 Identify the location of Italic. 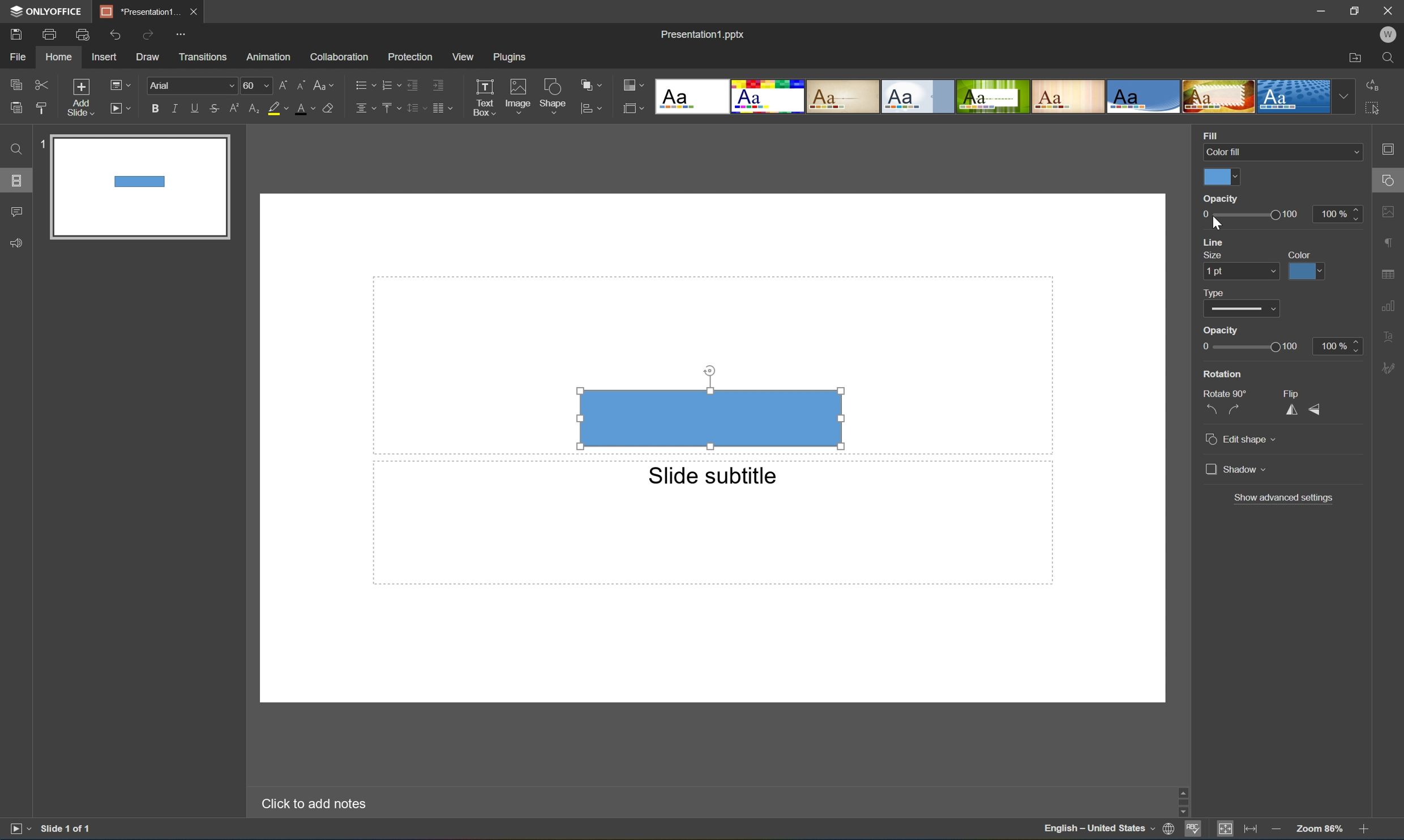
(173, 107).